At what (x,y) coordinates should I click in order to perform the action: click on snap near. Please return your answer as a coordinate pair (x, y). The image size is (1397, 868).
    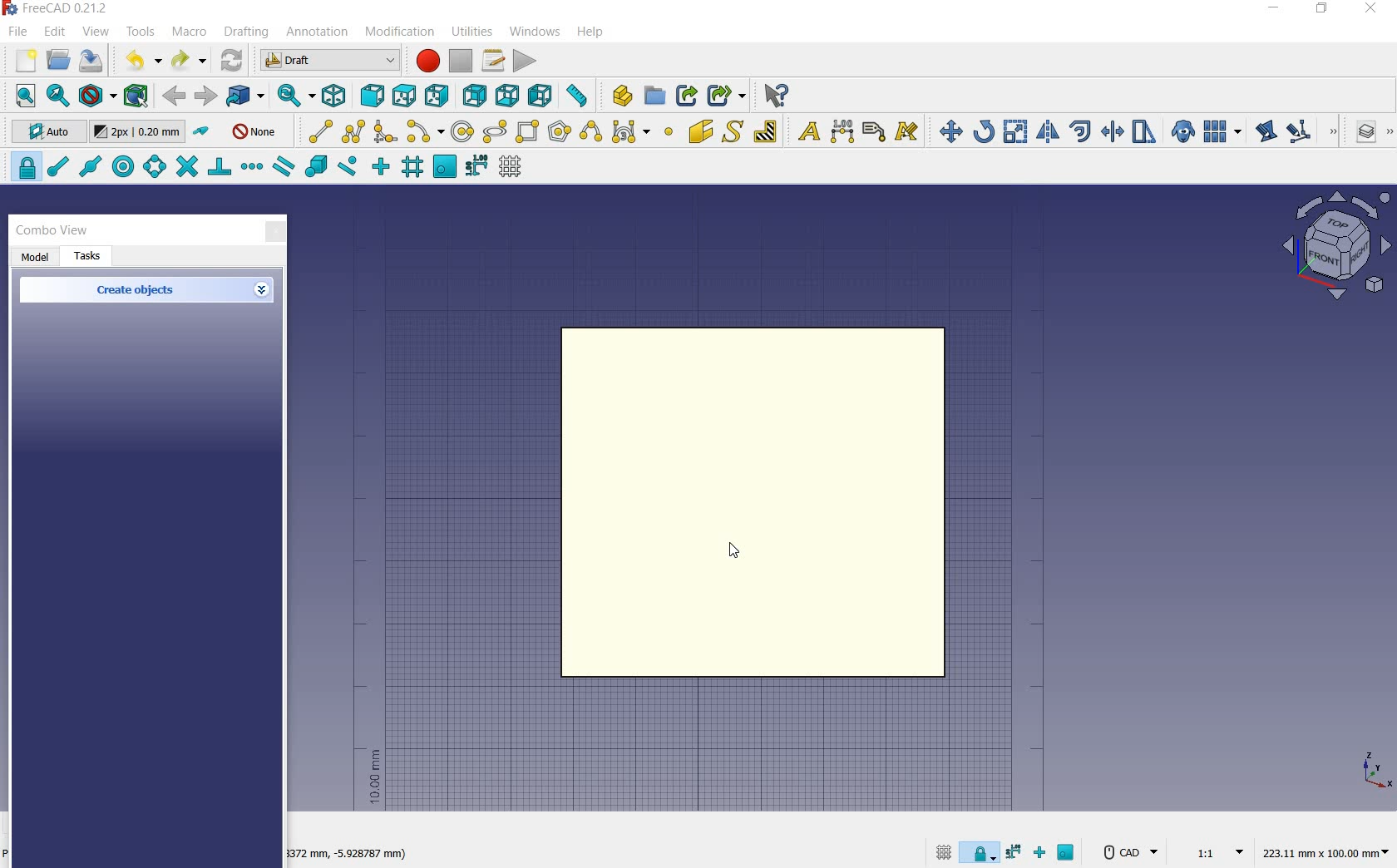
    Looking at the image, I should click on (345, 168).